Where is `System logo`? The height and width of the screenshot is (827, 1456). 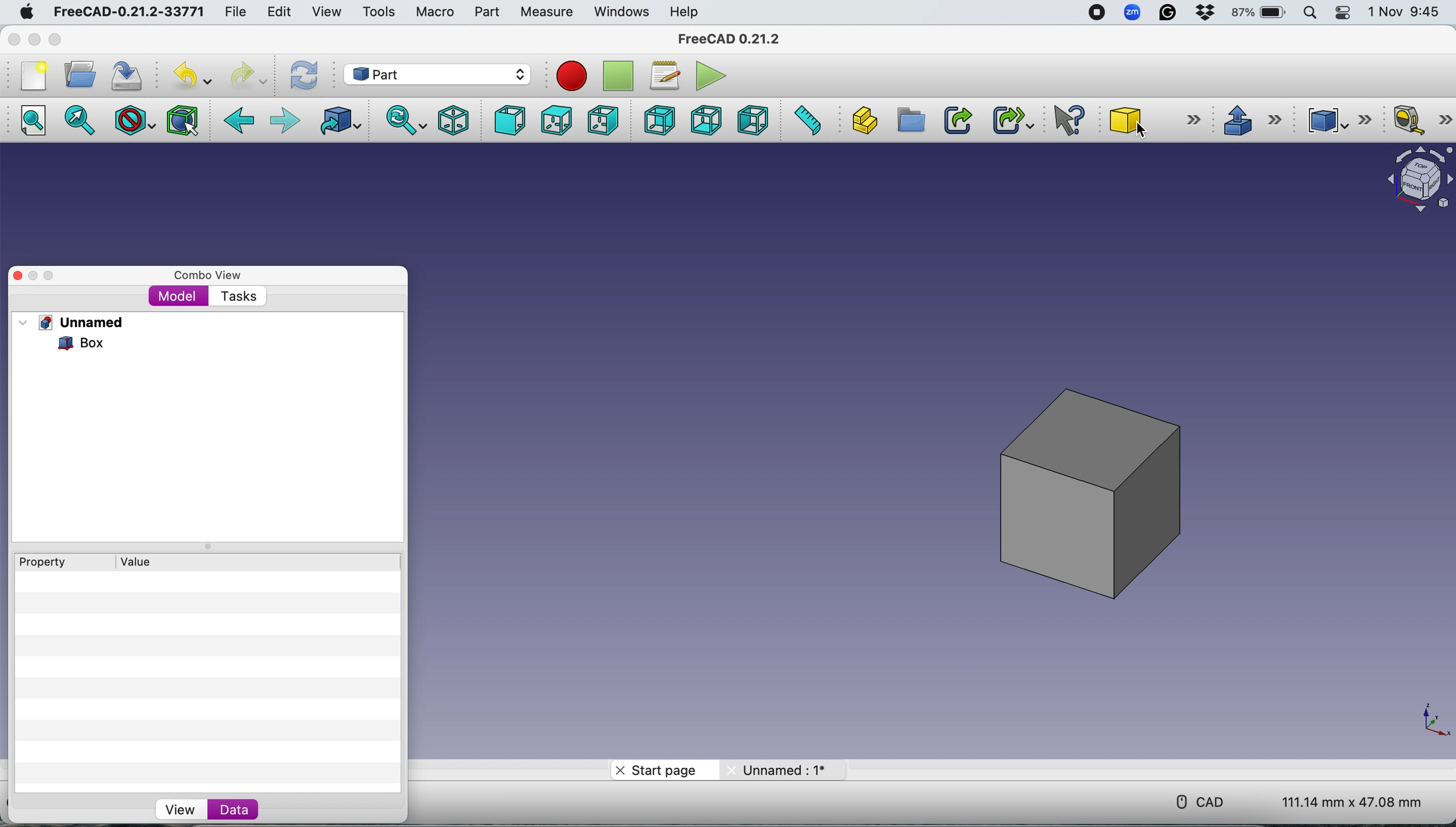 System logo is located at coordinates (25, 12).